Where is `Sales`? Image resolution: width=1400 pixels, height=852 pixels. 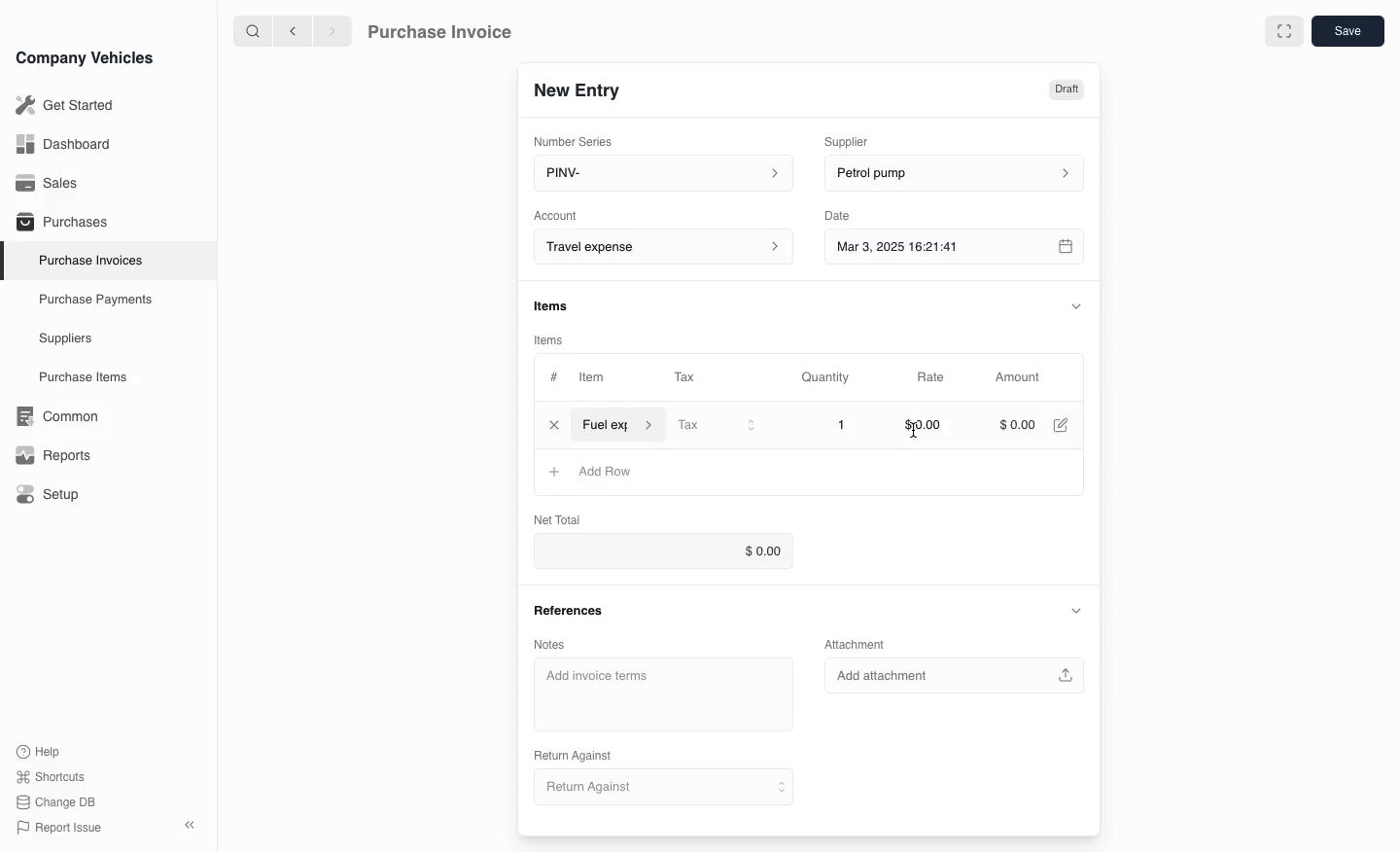 Sales is located at coordinates (48, 183).